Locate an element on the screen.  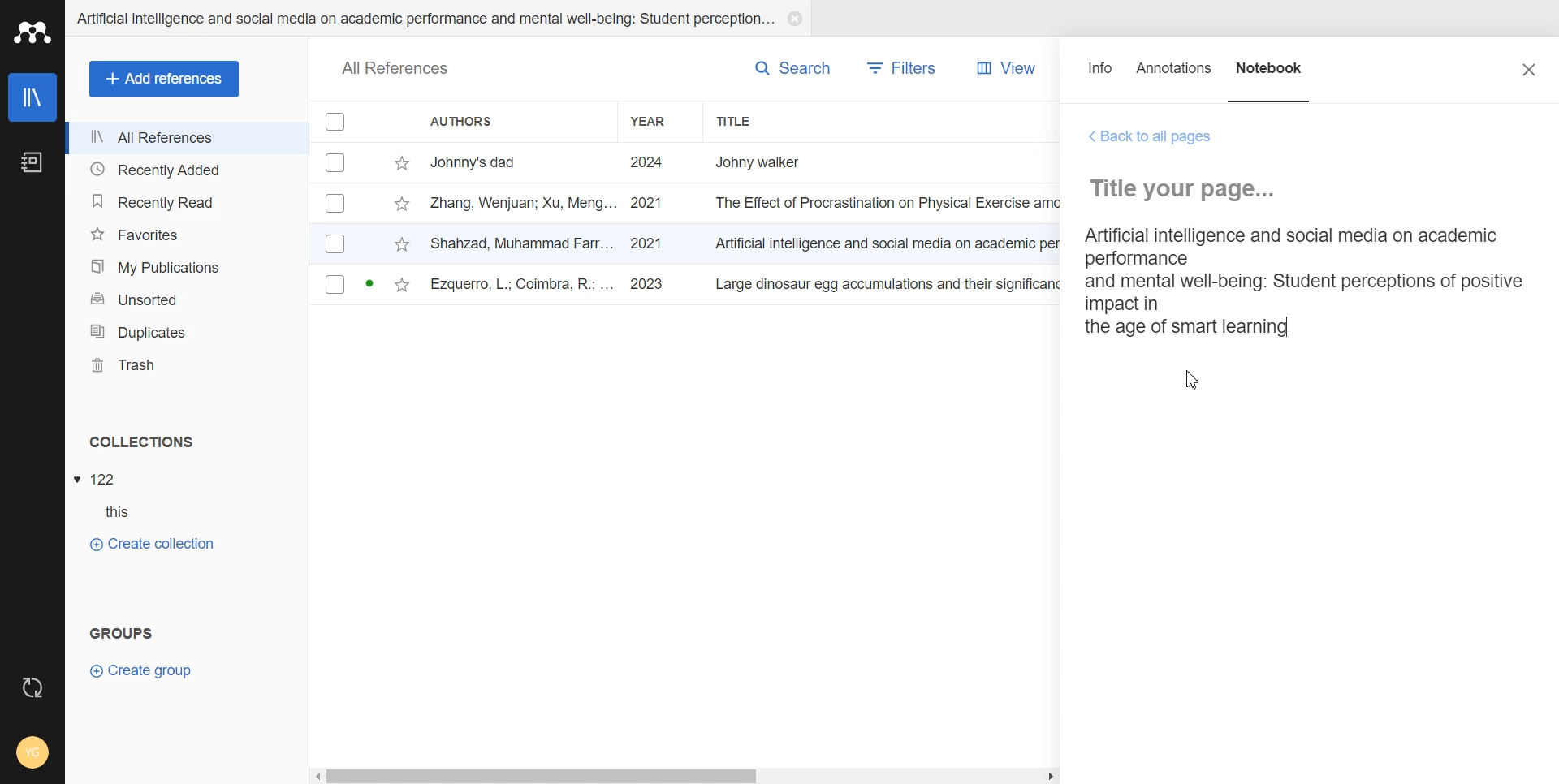
star is located at coordinates (402, 286).